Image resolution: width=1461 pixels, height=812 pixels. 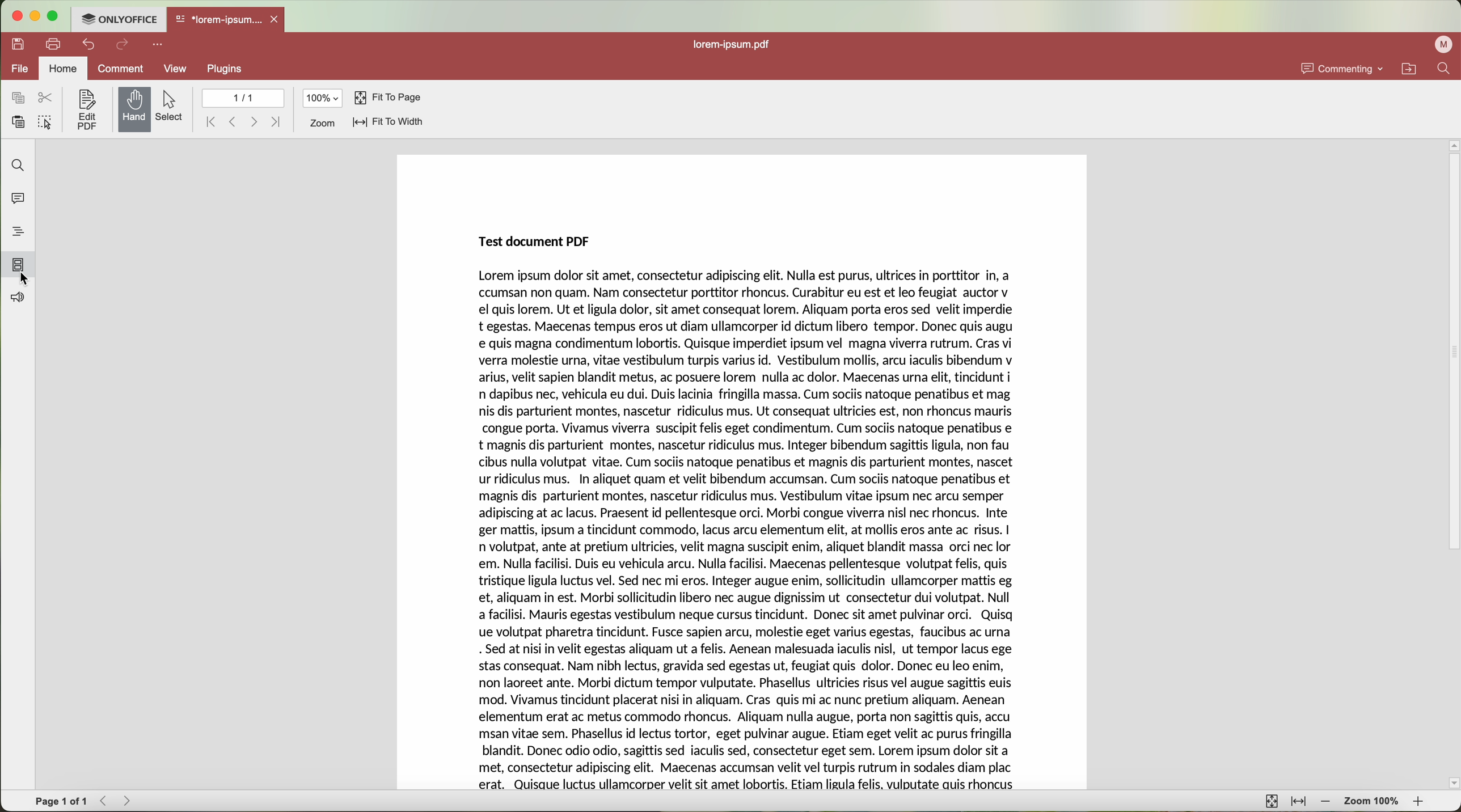 I want to click on comment, so click(x=123, y=69).